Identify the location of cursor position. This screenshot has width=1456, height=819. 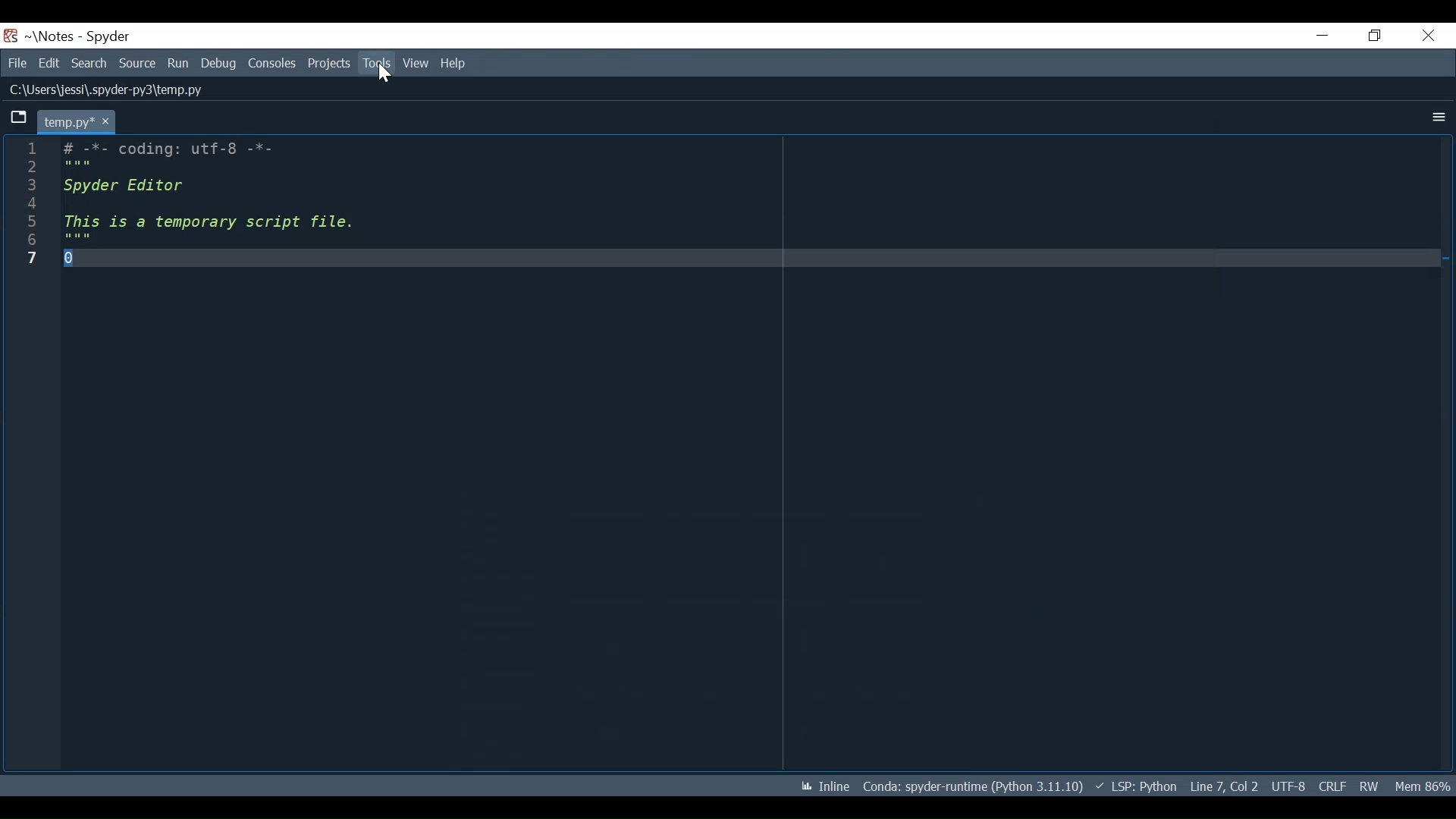
(1225, 786).